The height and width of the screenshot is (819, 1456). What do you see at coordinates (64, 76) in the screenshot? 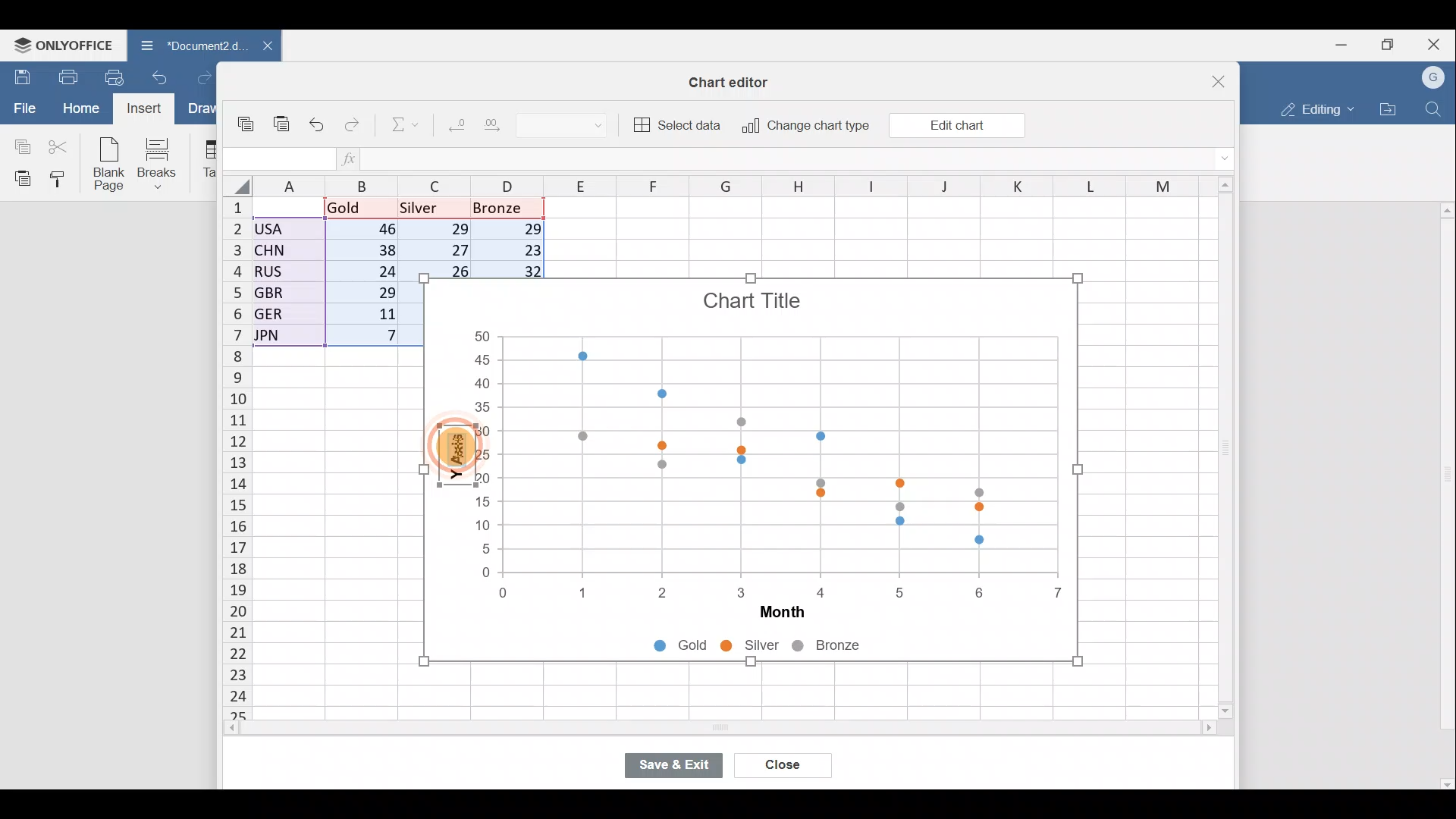
I see `Print file` at bounding box center [64, 76].